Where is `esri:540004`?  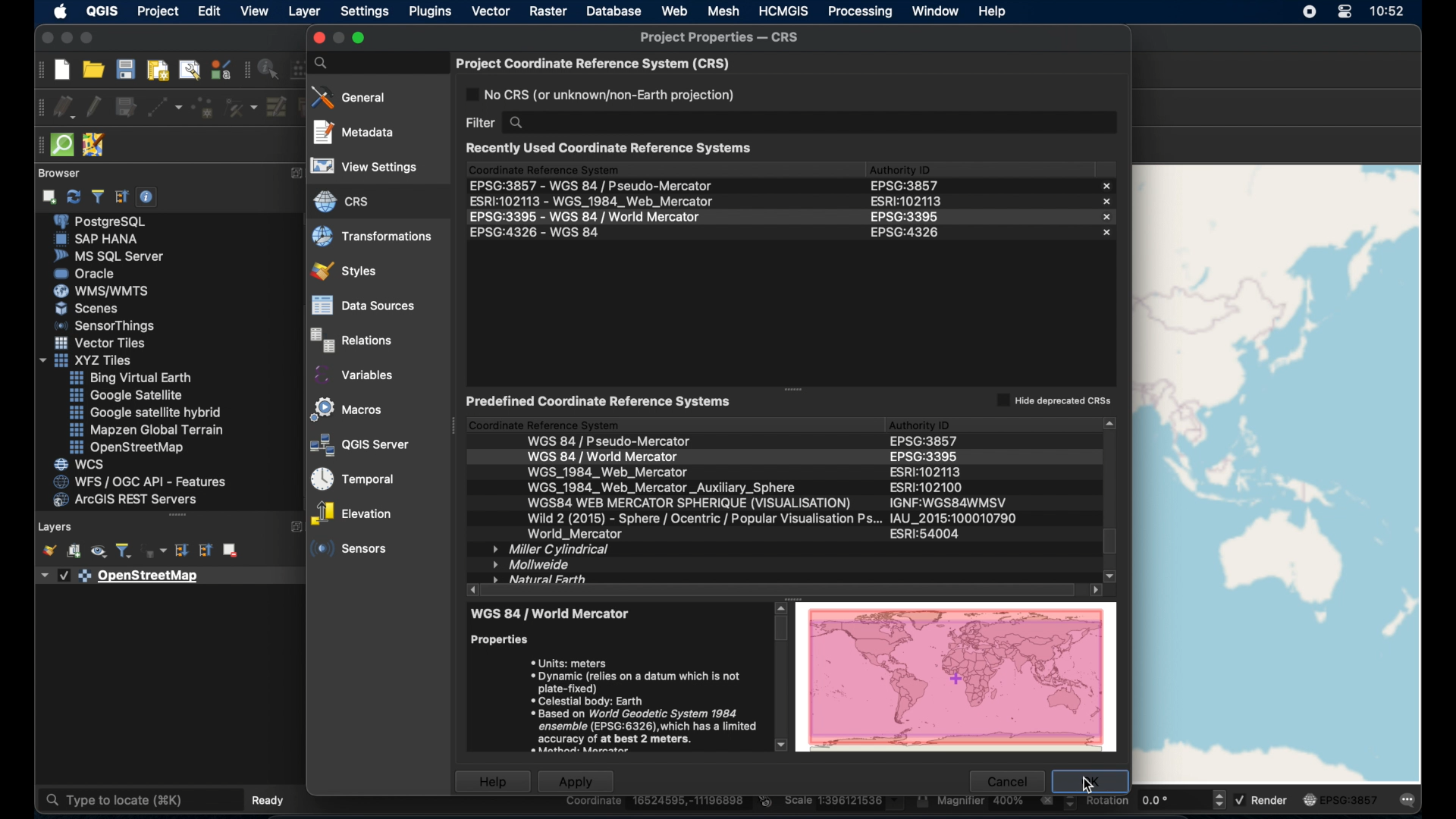
esri:540004 is located at coordinates (929, 534).